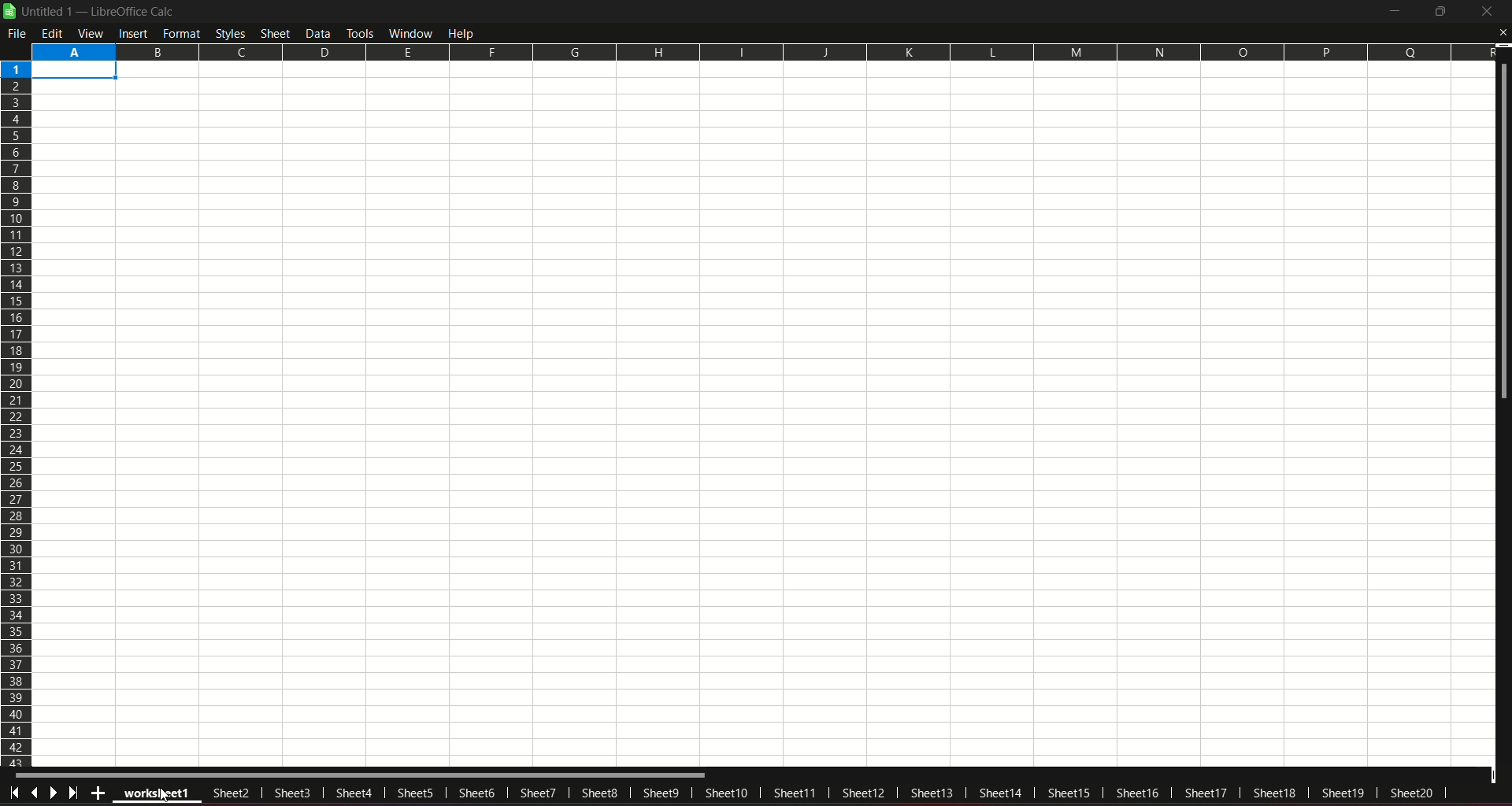 The height and width of the screenshot is (806, 1512). What do you see at coordinates (320, 32) in the screenshot?
I see `Data` at bounding box center [320, 32].